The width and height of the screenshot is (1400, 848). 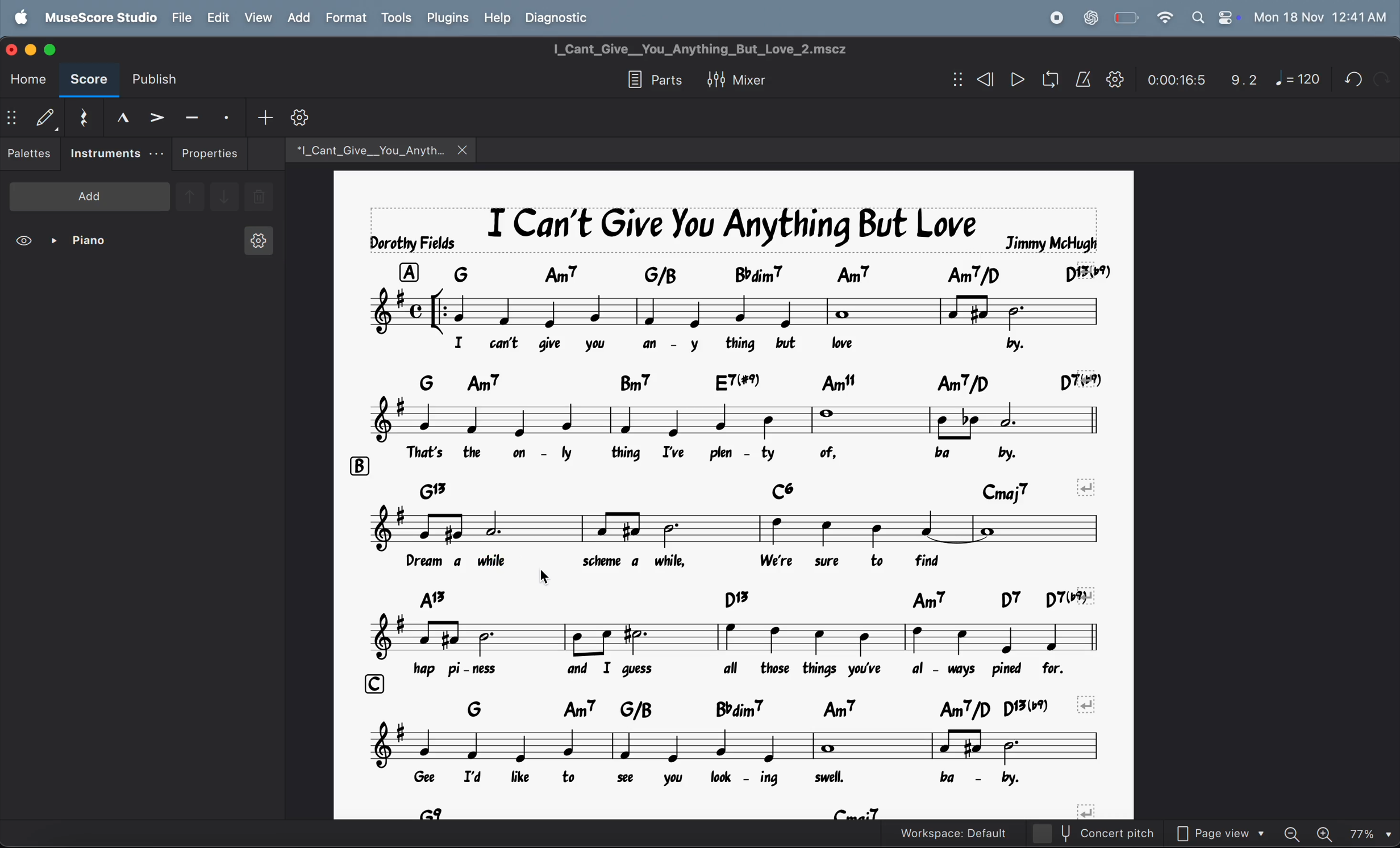 I want to click on plugins, so click(x=448, y=19).